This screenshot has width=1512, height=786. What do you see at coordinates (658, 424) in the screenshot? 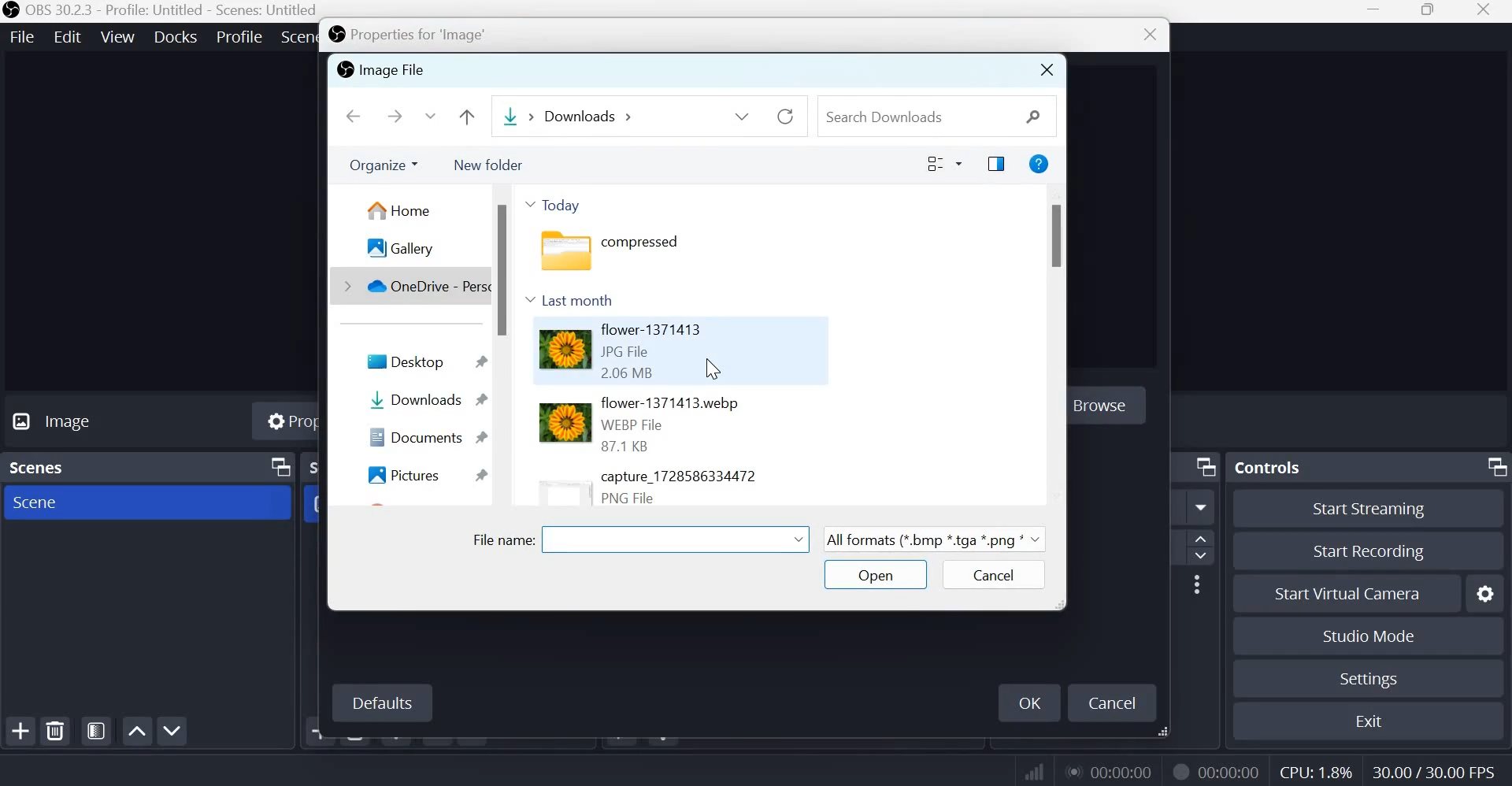
I see `flower-1371413 jpg file 2.06 MB` at bounding box center [658, 424].